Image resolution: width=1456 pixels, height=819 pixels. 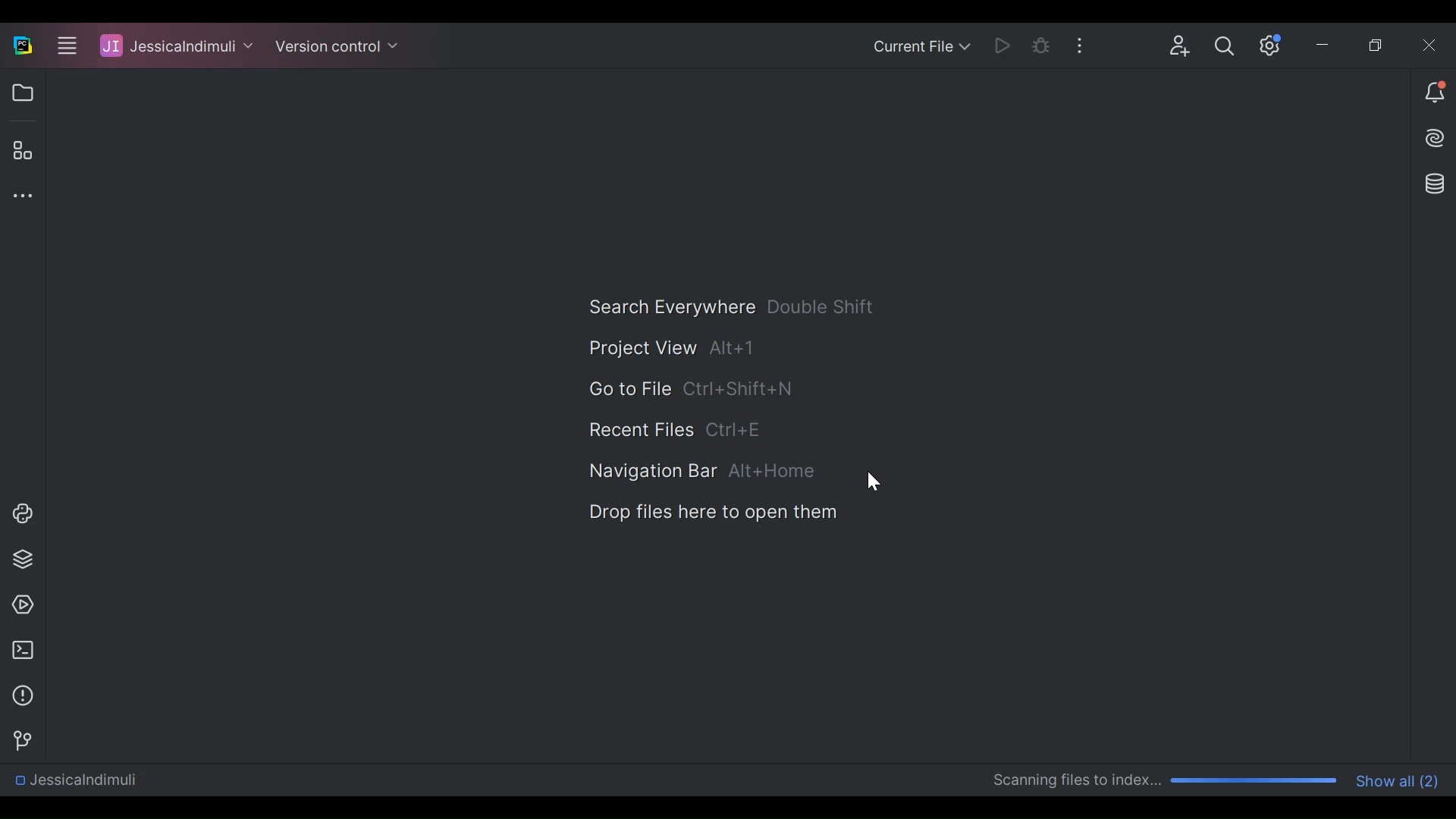 What do you see at coordinates (1436, 137) in the screenshot?
I see `AI Assistant` at bounding box center [1436, 137].